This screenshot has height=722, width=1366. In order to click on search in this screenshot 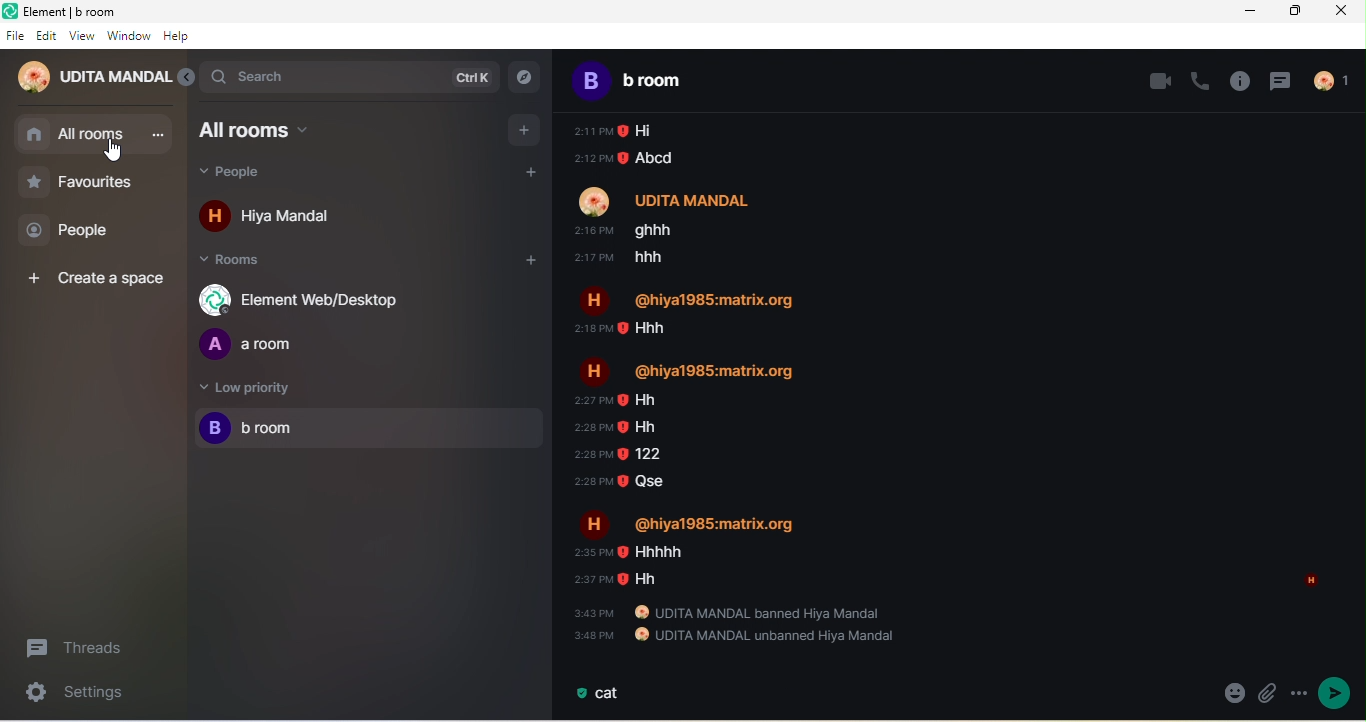, I will do `click(350, 76)`.